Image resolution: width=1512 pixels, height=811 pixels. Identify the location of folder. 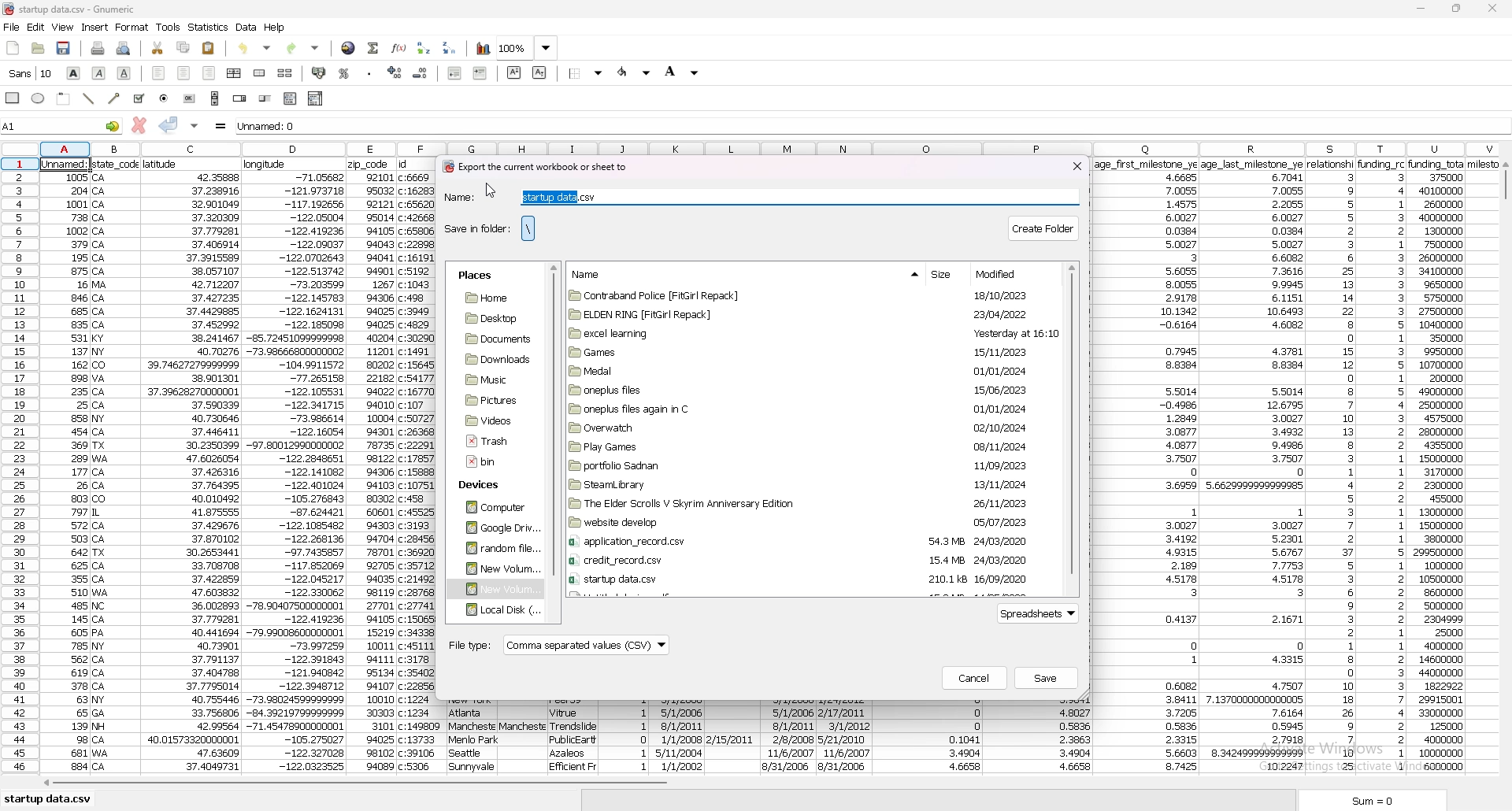
(802, 579).